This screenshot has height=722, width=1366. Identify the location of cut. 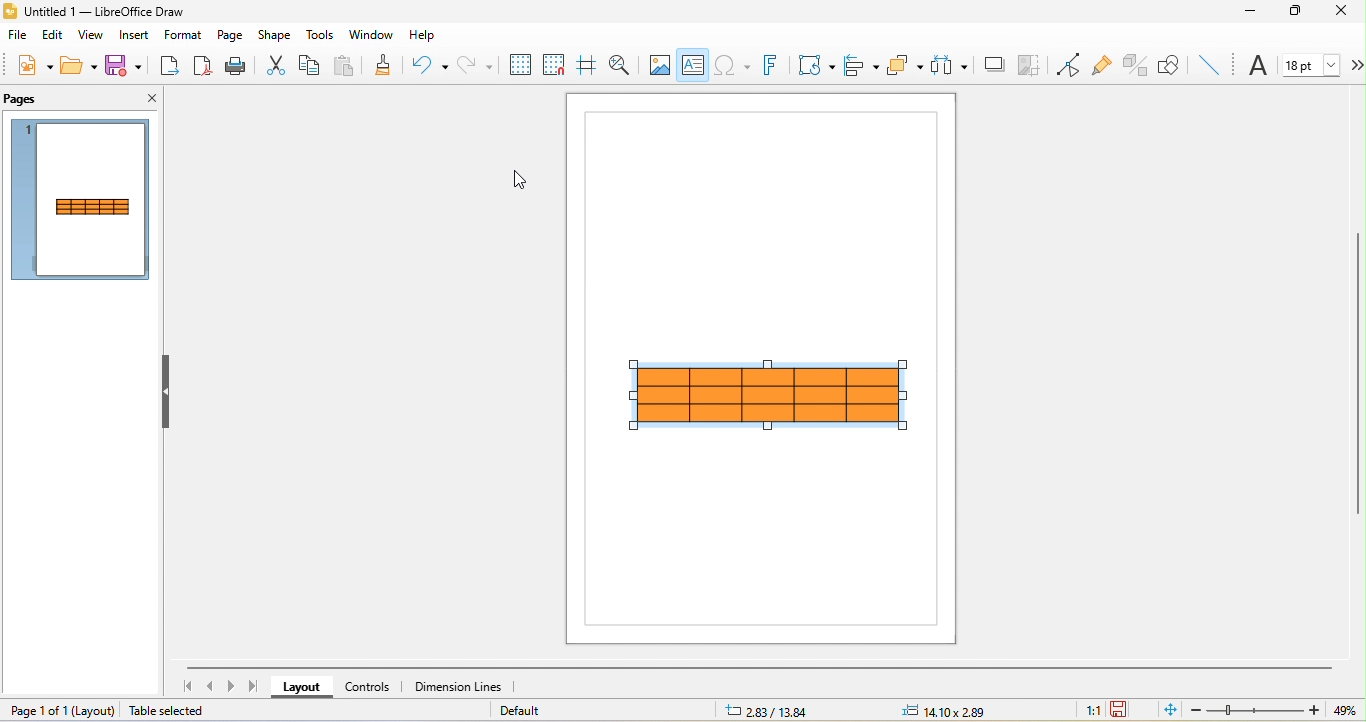
(270, 64).